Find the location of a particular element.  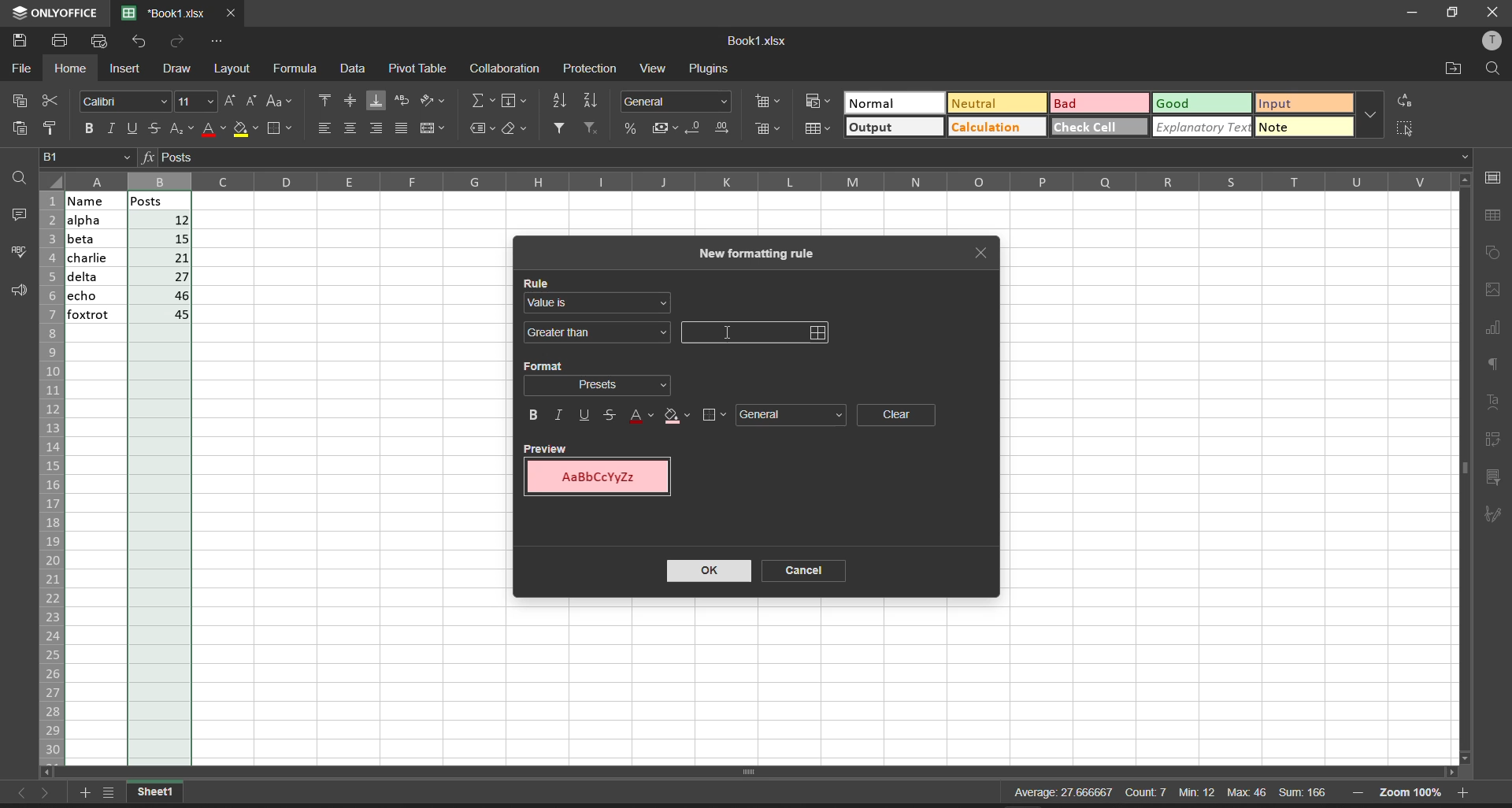

wrap text is located at coordinates (401, 103).